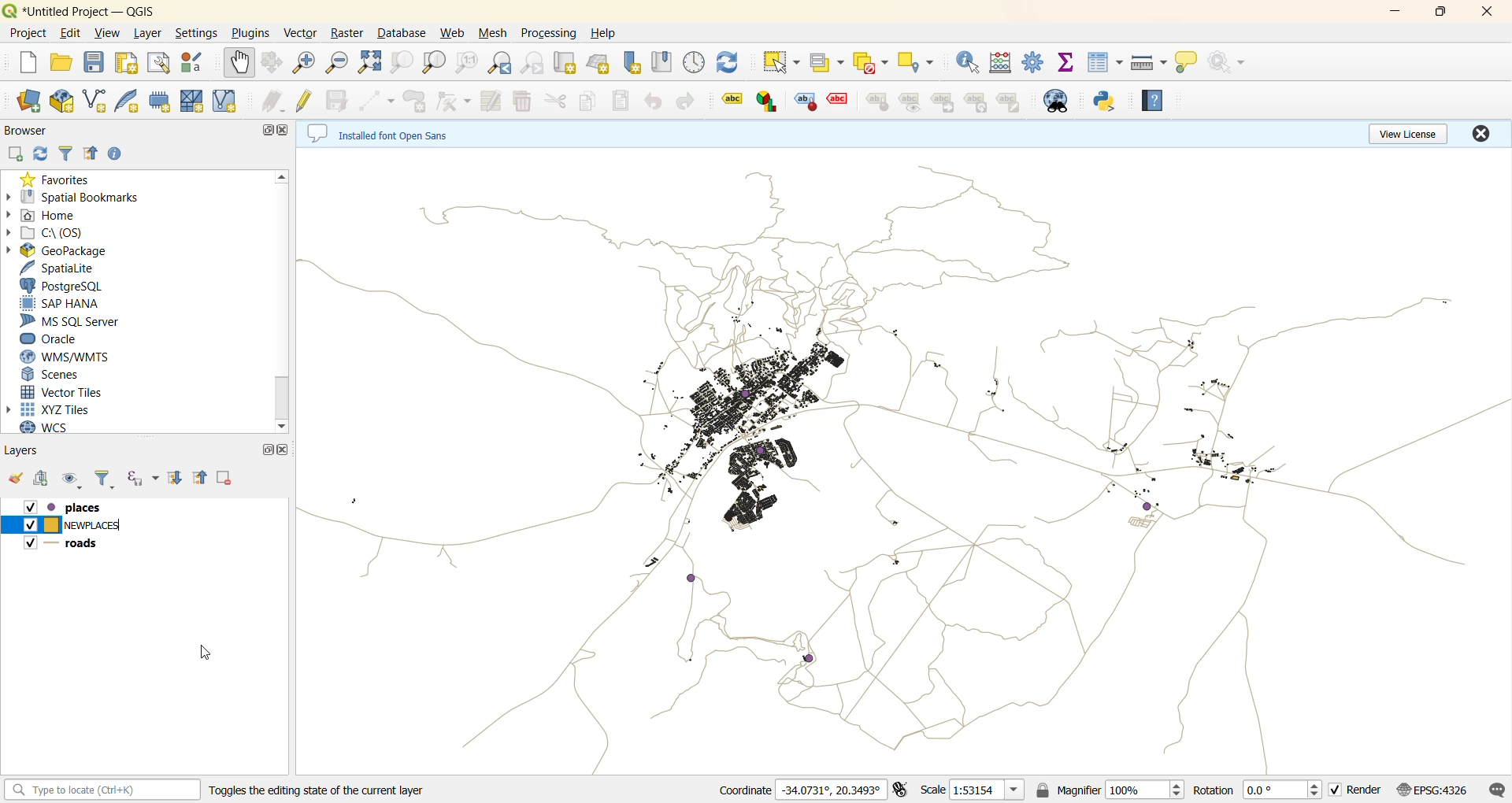 The width and height of the screenshot is (1512, 803). Describe the element at coordinates (26, 32) in the screenshot. I see `project` at that location.